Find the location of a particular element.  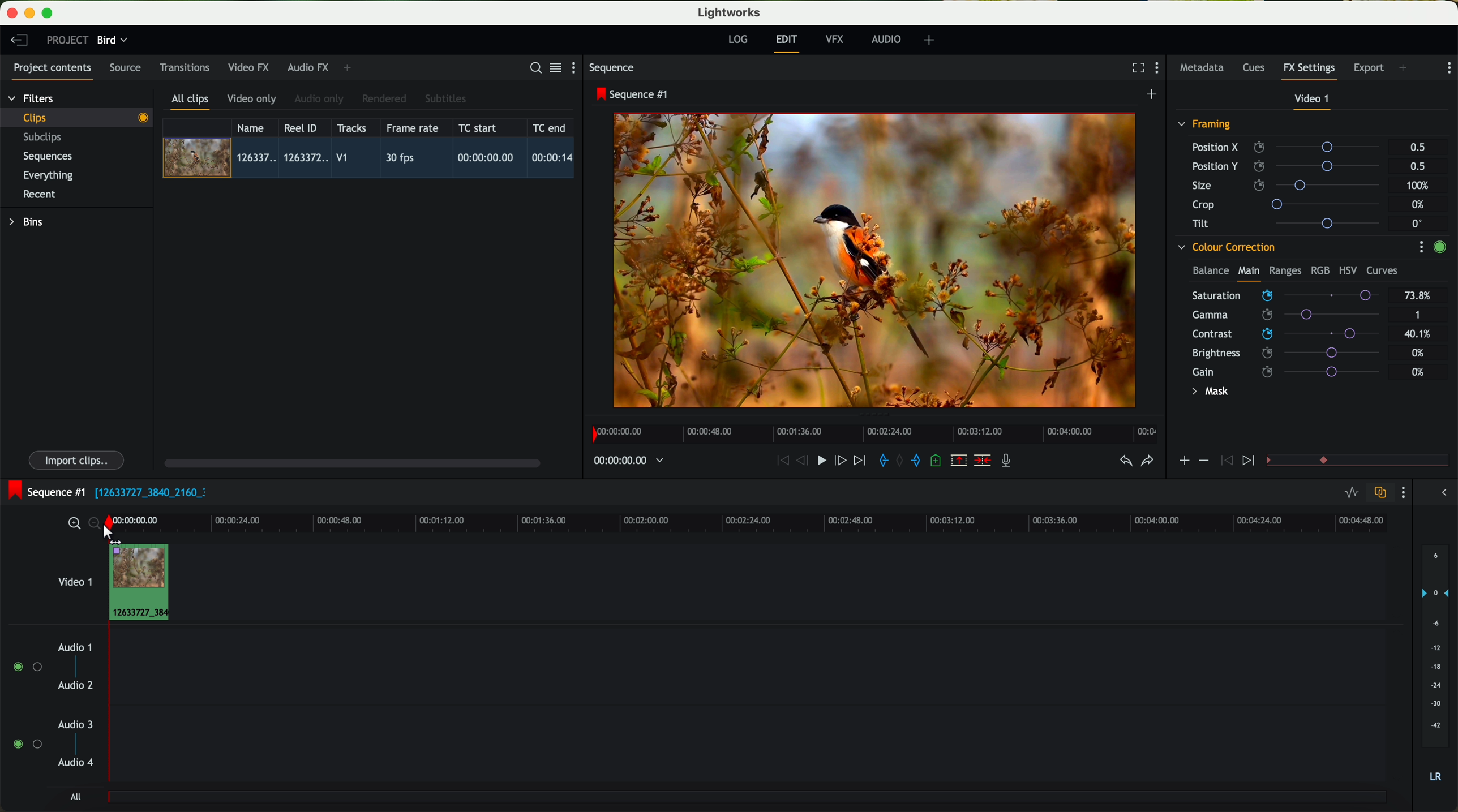

click on contrast is located at coordinates (1286, 335).